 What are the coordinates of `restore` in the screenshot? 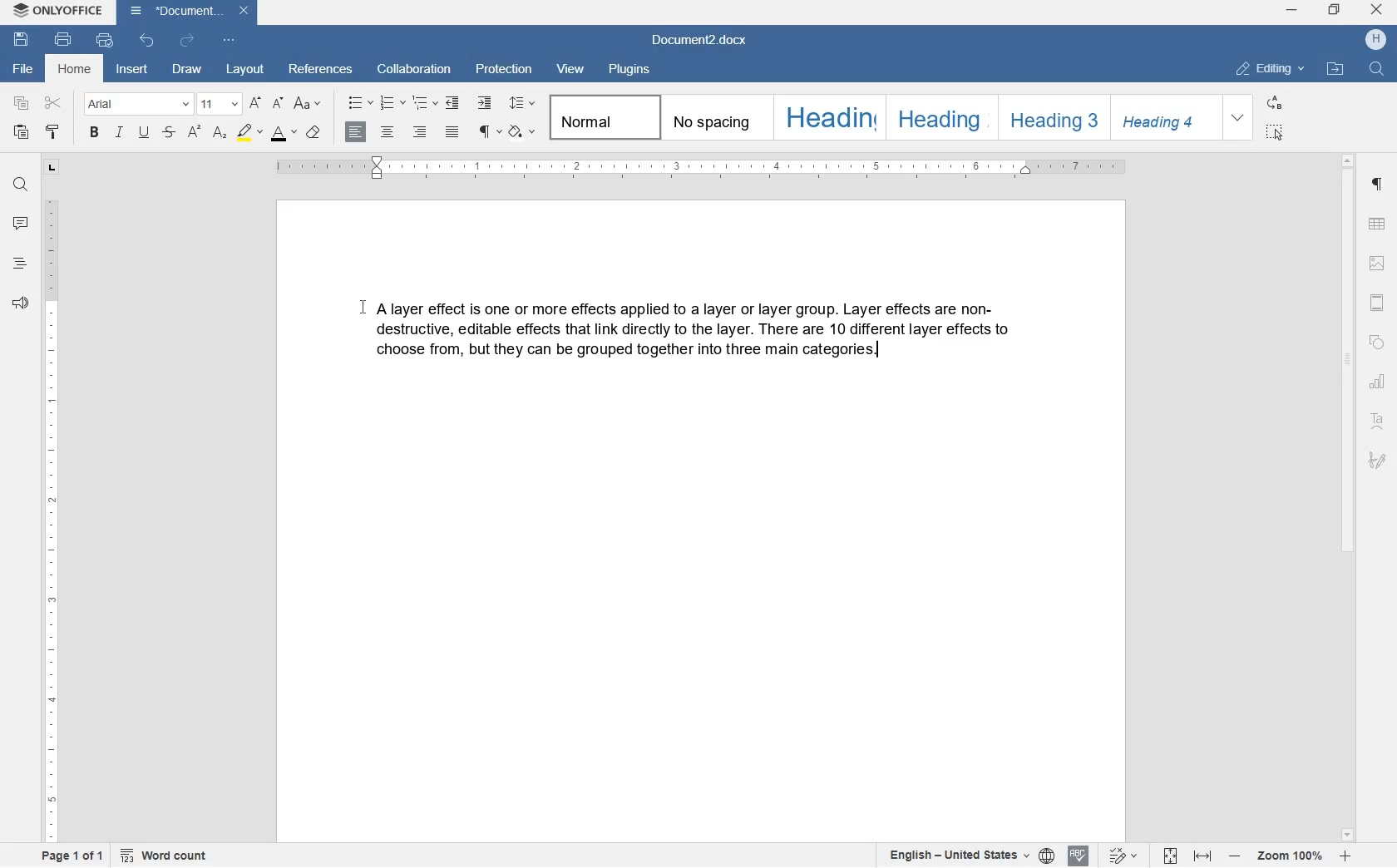 It's located at (1337, 9).